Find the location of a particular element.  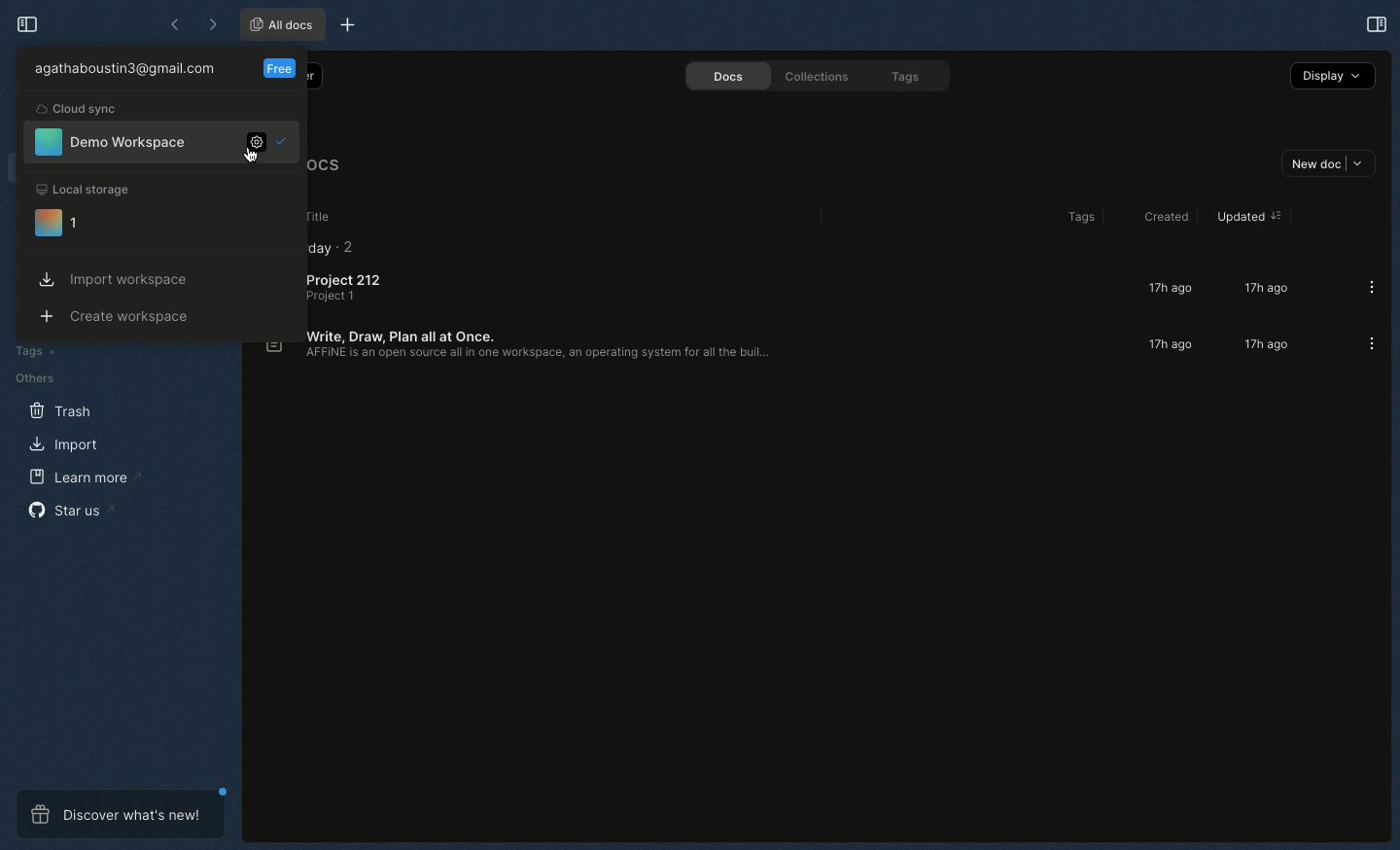

Trash is located at coordinates (57, 409).